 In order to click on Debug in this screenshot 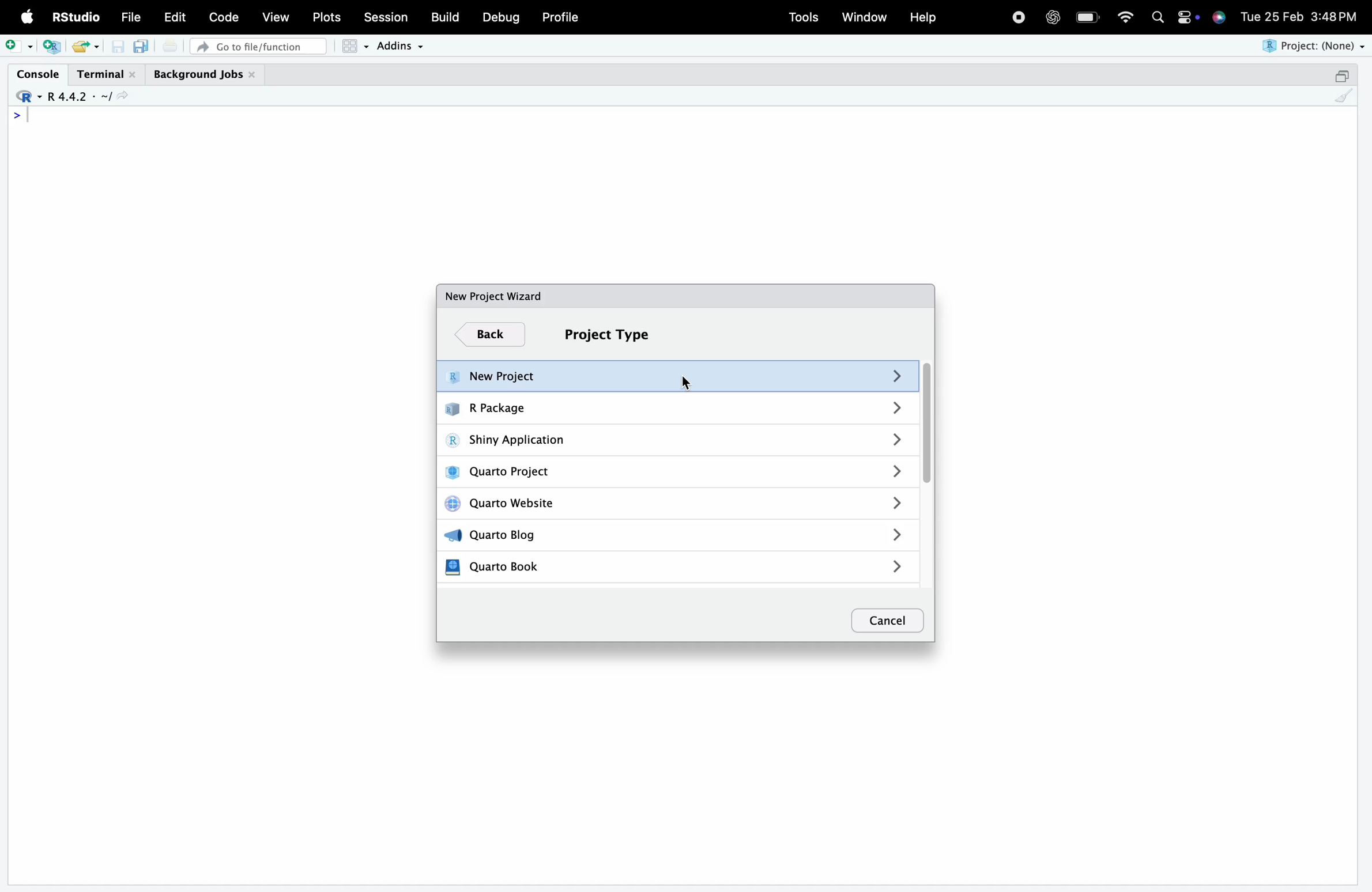, I will do `click(502, 17)`.